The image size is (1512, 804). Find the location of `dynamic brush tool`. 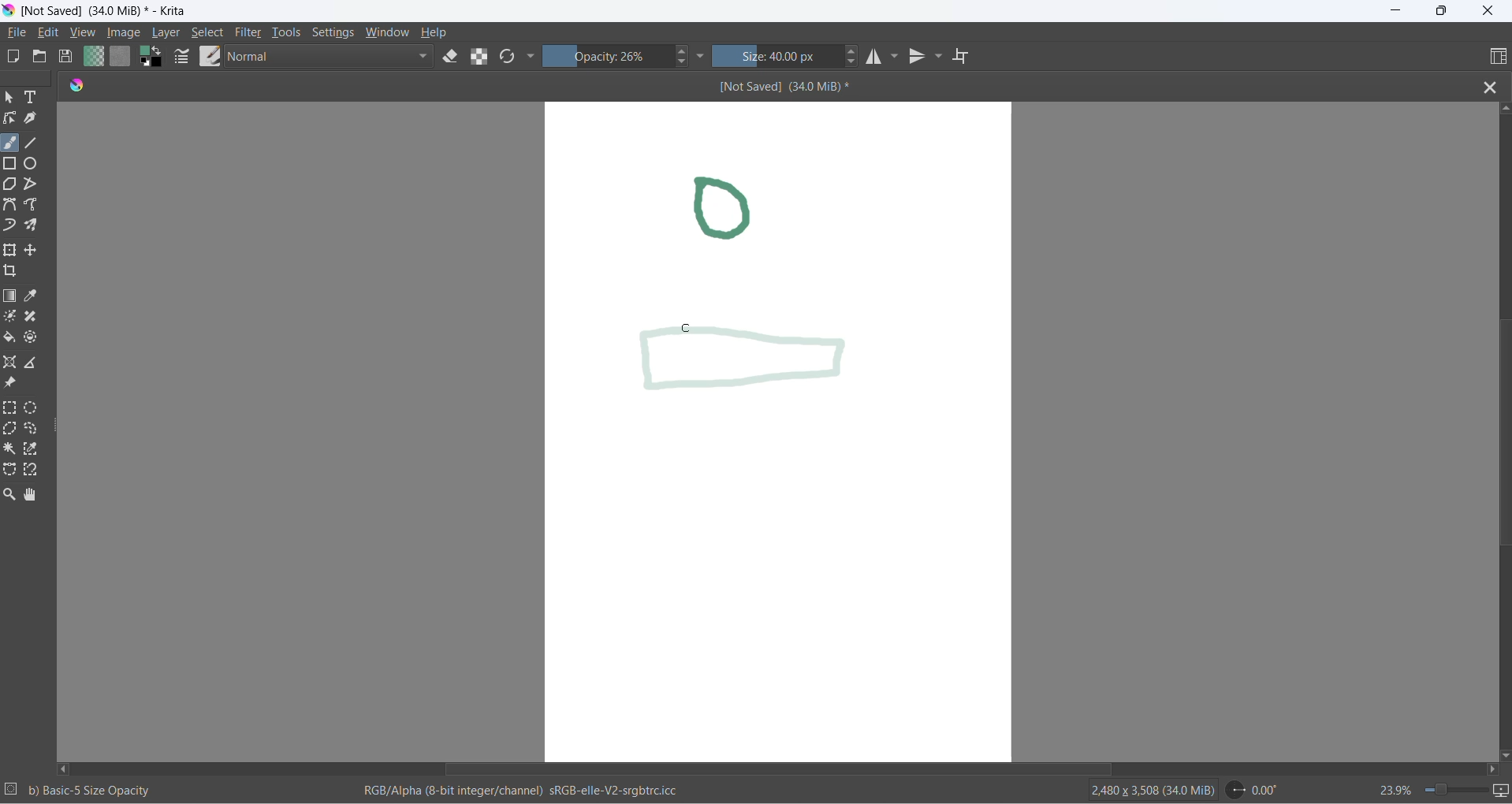

dynamic brush tool is located at coordinates (13, 225).